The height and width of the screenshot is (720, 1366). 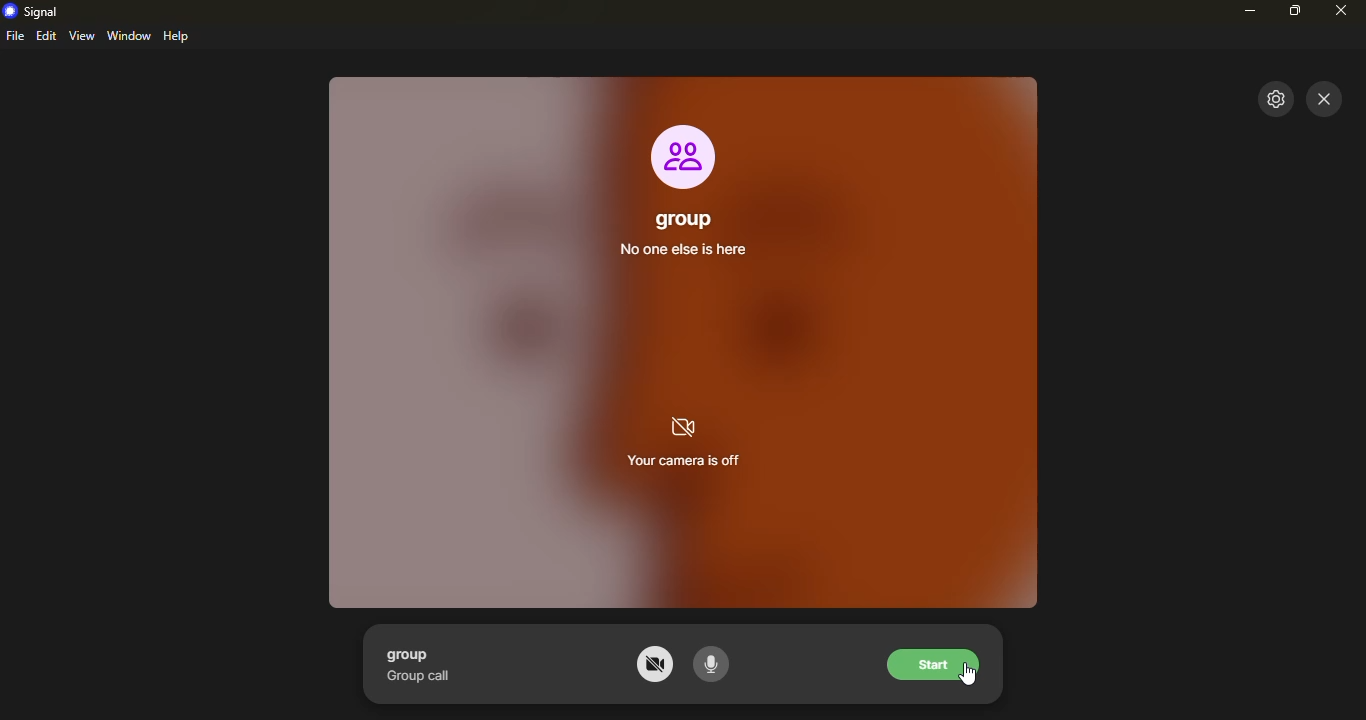 I want to click on cmera off logo, so click(x=687, y=426).